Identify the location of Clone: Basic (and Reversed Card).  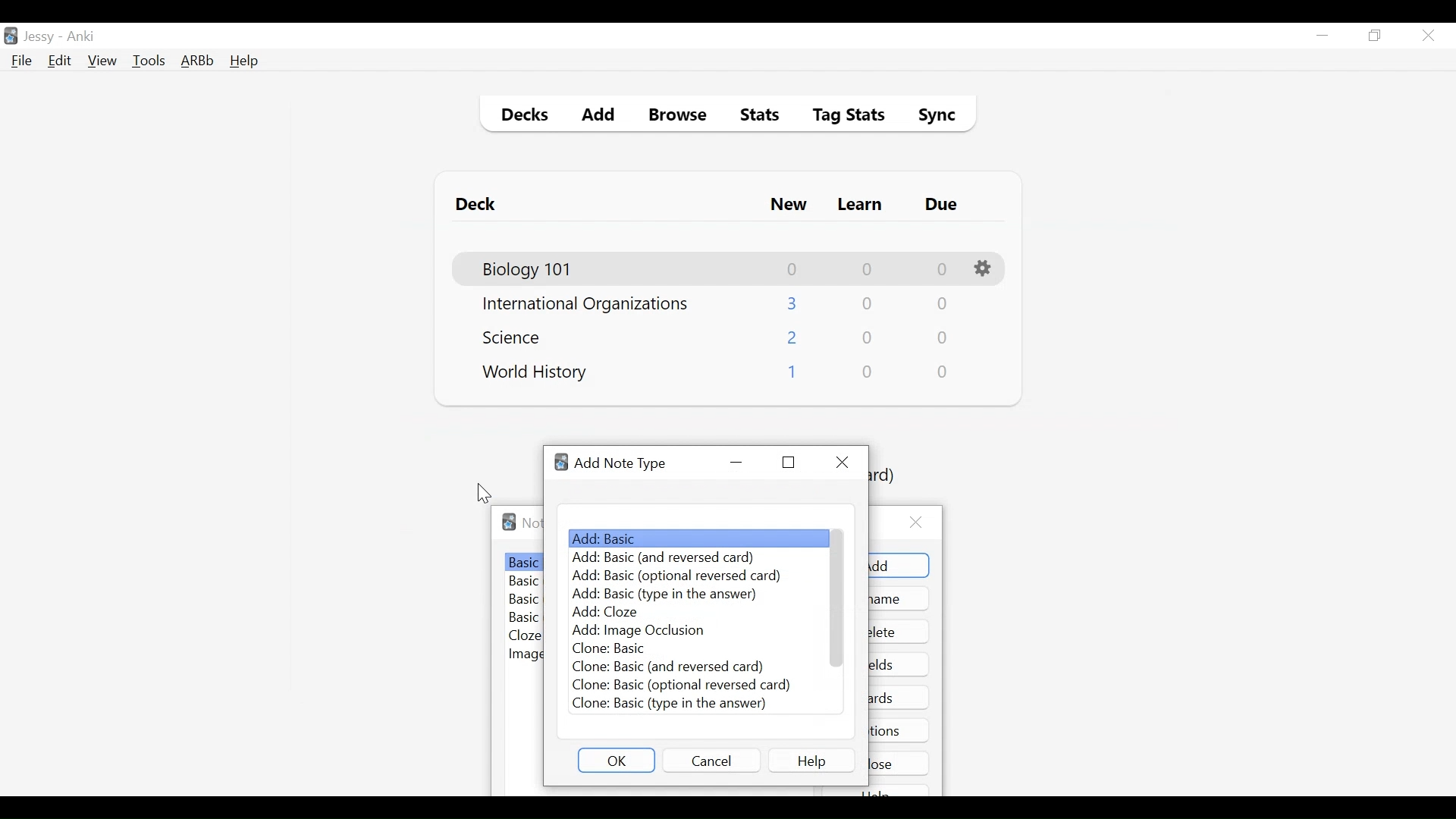
(667, 666).